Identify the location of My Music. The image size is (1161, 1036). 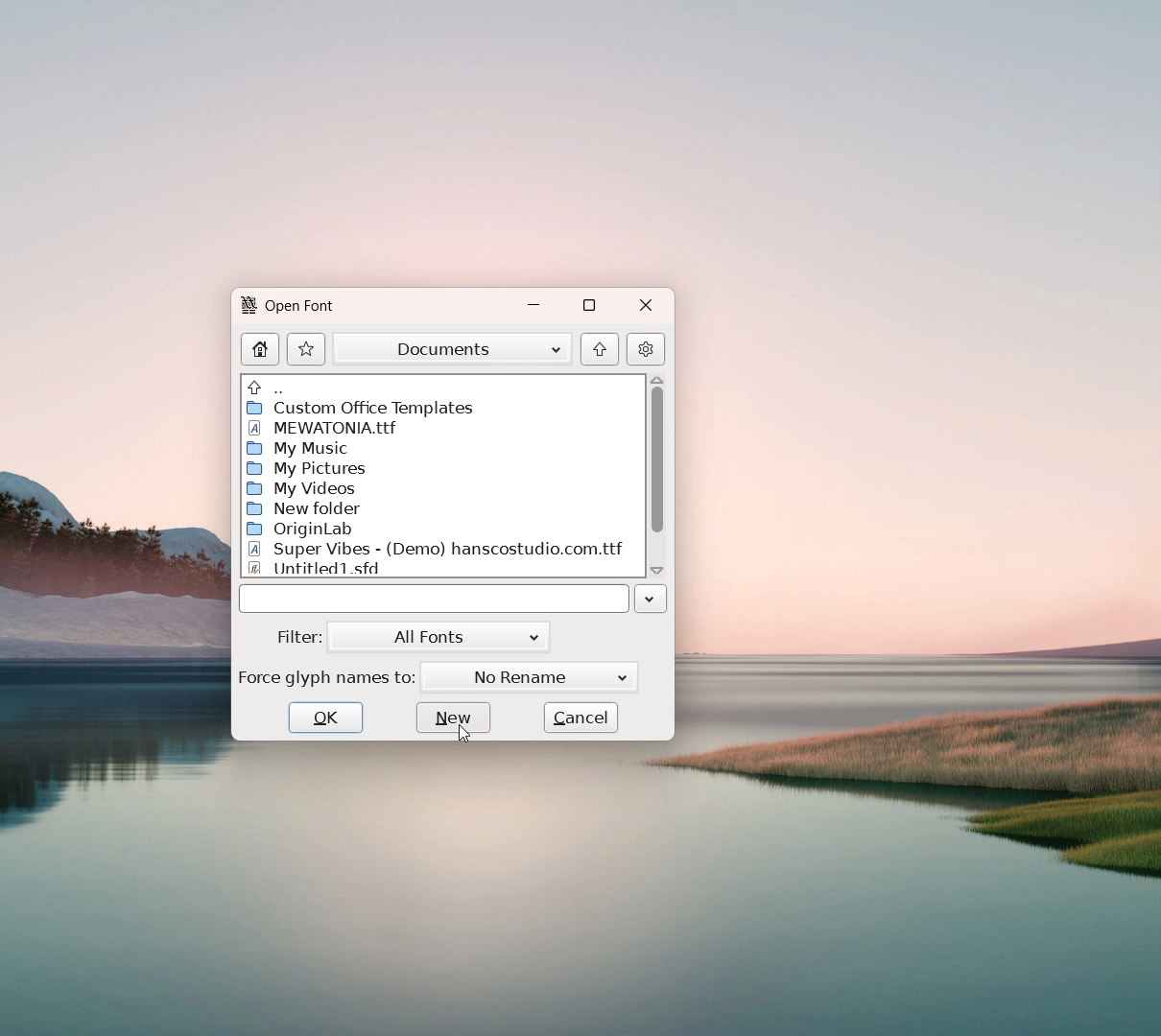
(304, 447).